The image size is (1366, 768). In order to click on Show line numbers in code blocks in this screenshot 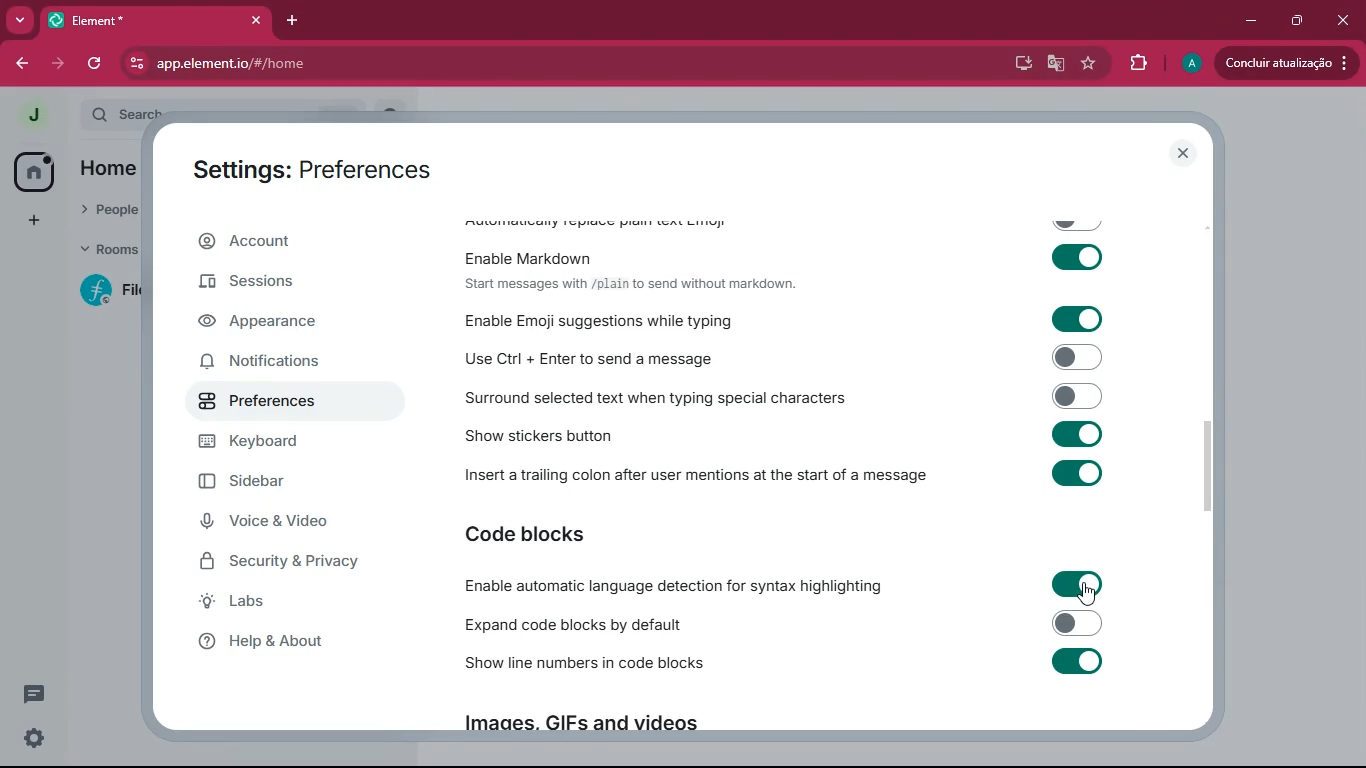, I will do `click(785, 664)`.